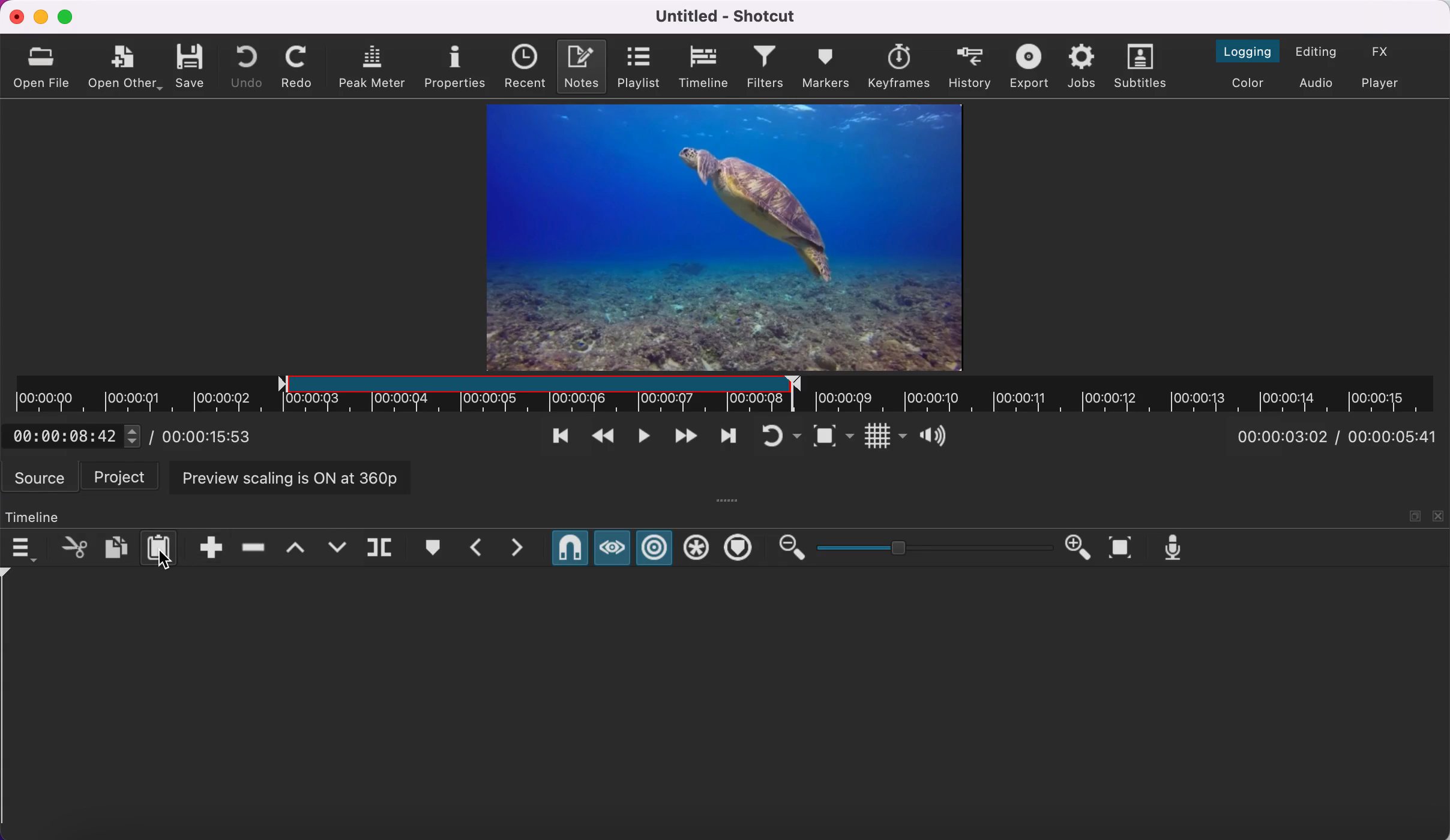 Image resolution: width=1450 pixels, height=840 pixels. What do you see at coordinates (1178, 549) in the screenshot?
I see `record audio` at bounding box center [1178, 549].